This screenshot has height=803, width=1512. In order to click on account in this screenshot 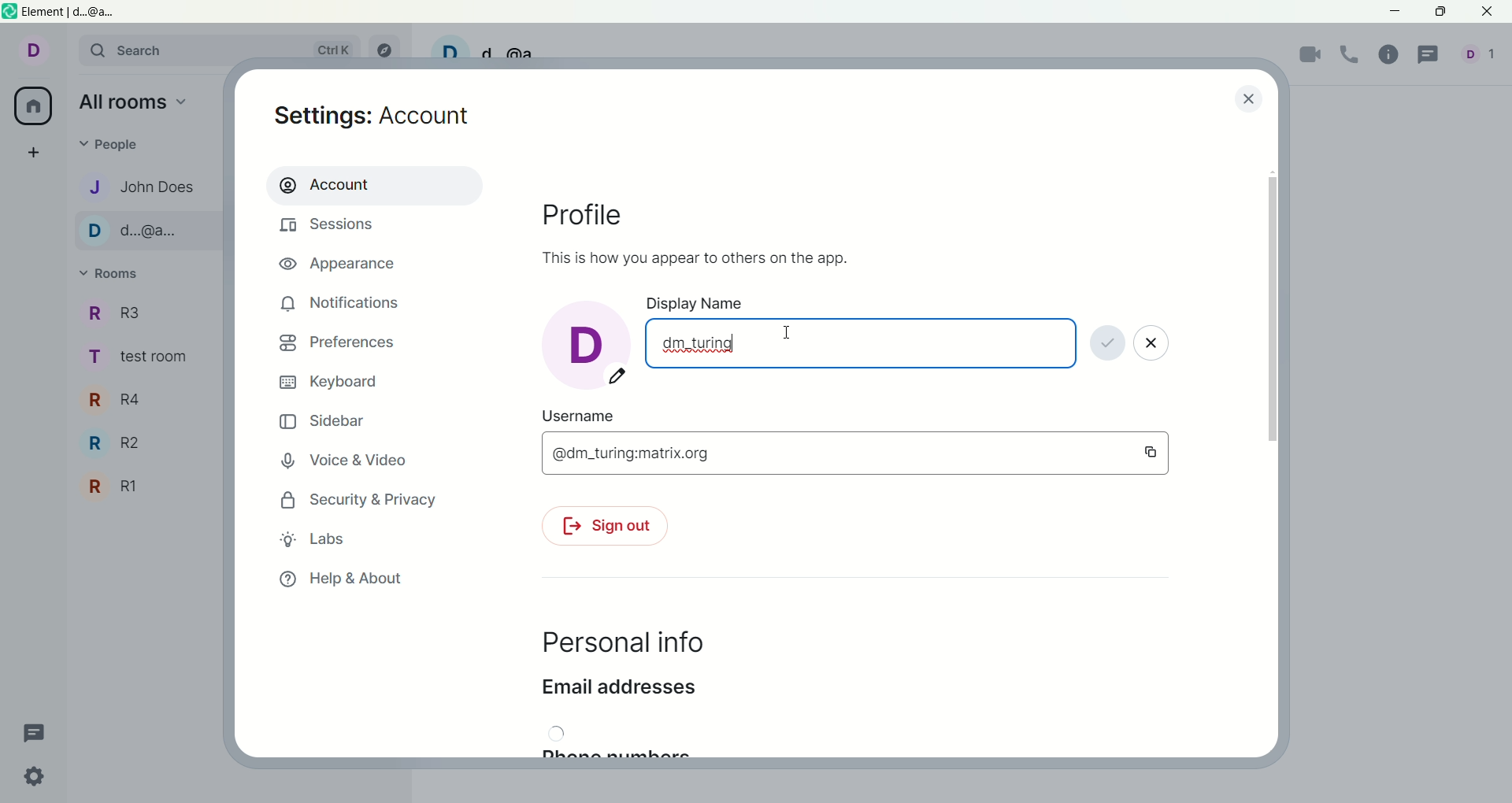, I will do `click(372, 184)`.